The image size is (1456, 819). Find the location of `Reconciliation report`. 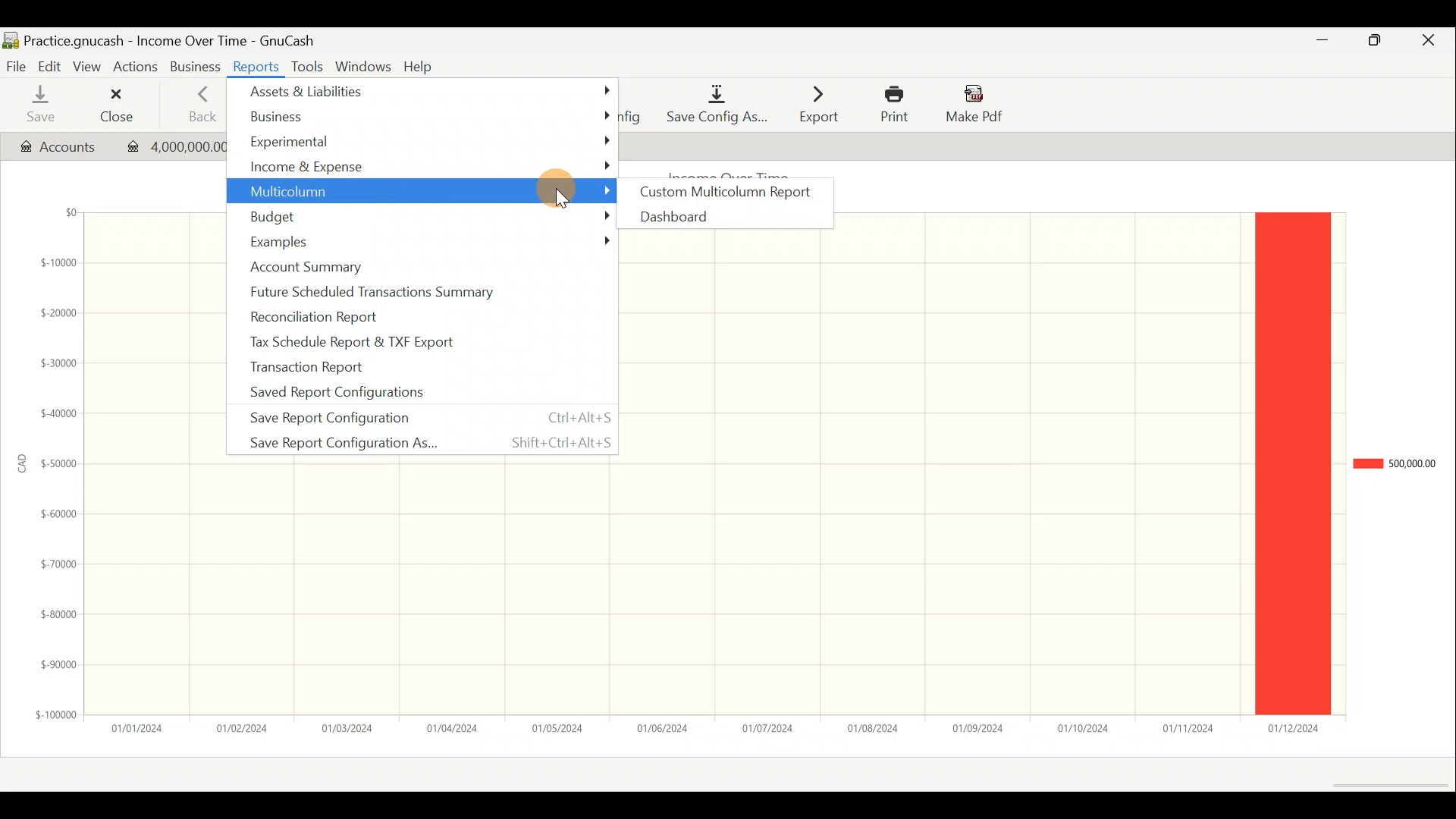

Reconciliation report is located at coordinates (412, 316).